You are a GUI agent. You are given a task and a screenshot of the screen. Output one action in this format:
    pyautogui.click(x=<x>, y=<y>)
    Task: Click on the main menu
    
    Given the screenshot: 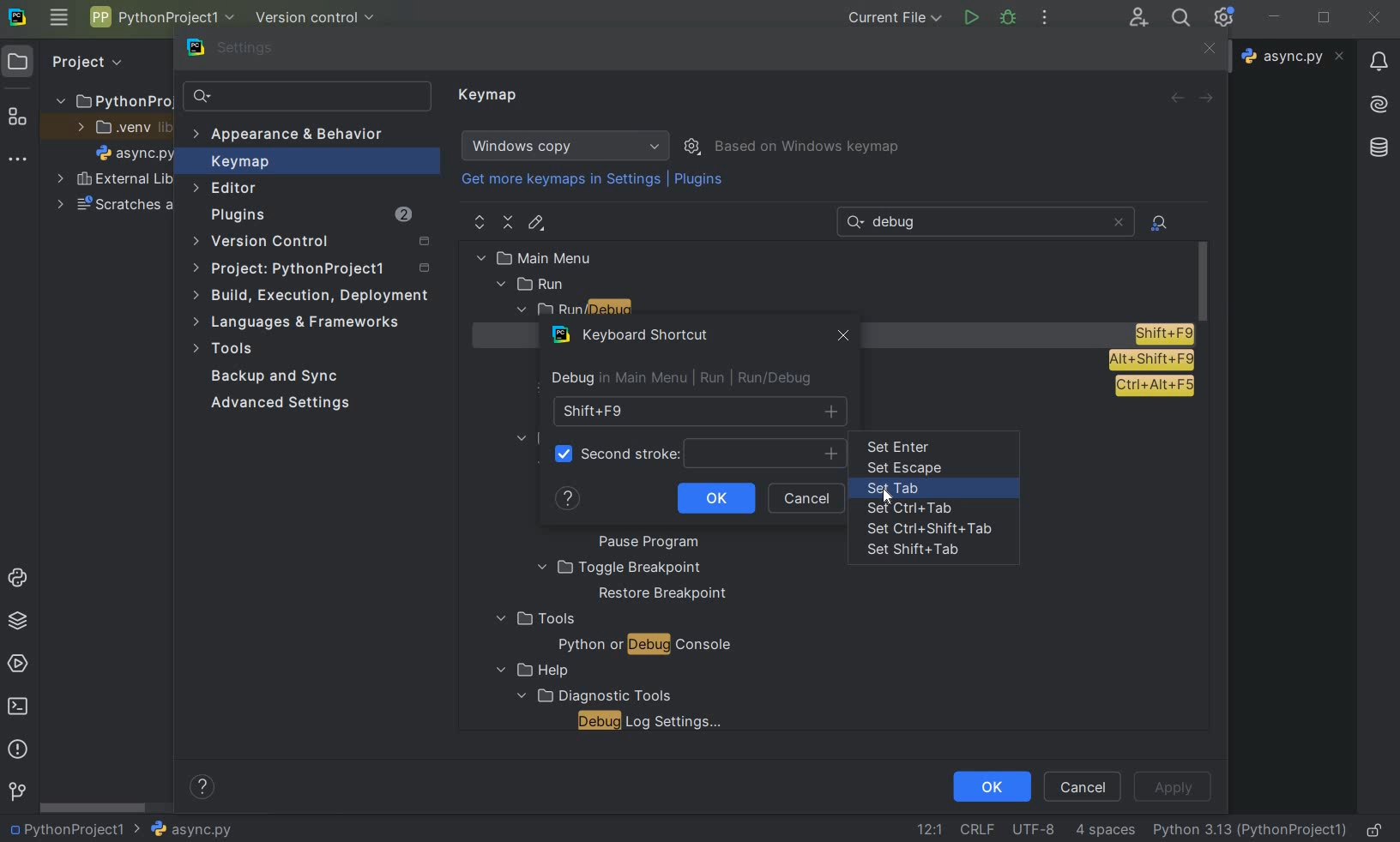 What is the action you would take?
    pyautogui.click(x=571, y=257)
    